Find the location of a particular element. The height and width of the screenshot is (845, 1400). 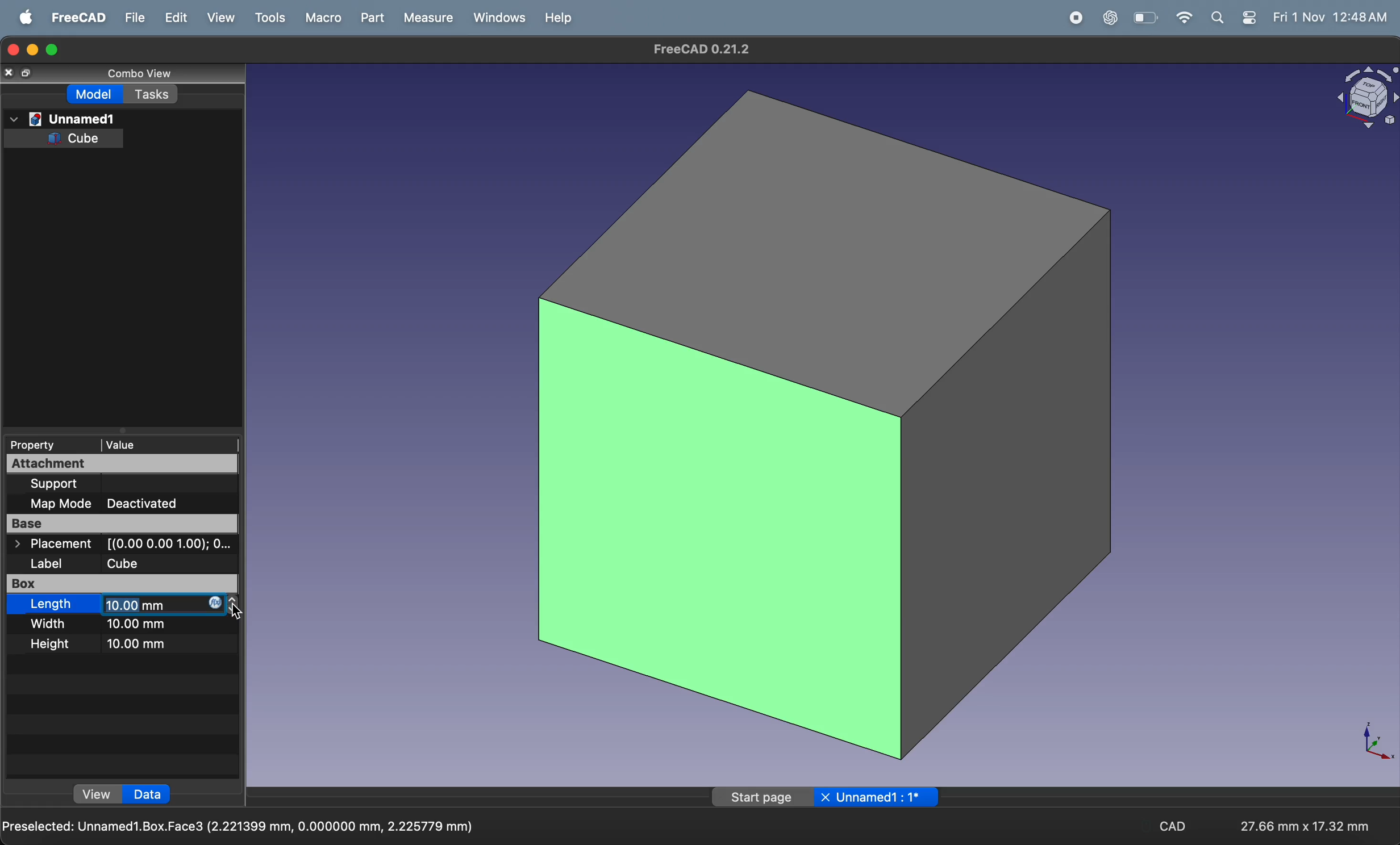

lenghth is located at coordinates (53, 604).